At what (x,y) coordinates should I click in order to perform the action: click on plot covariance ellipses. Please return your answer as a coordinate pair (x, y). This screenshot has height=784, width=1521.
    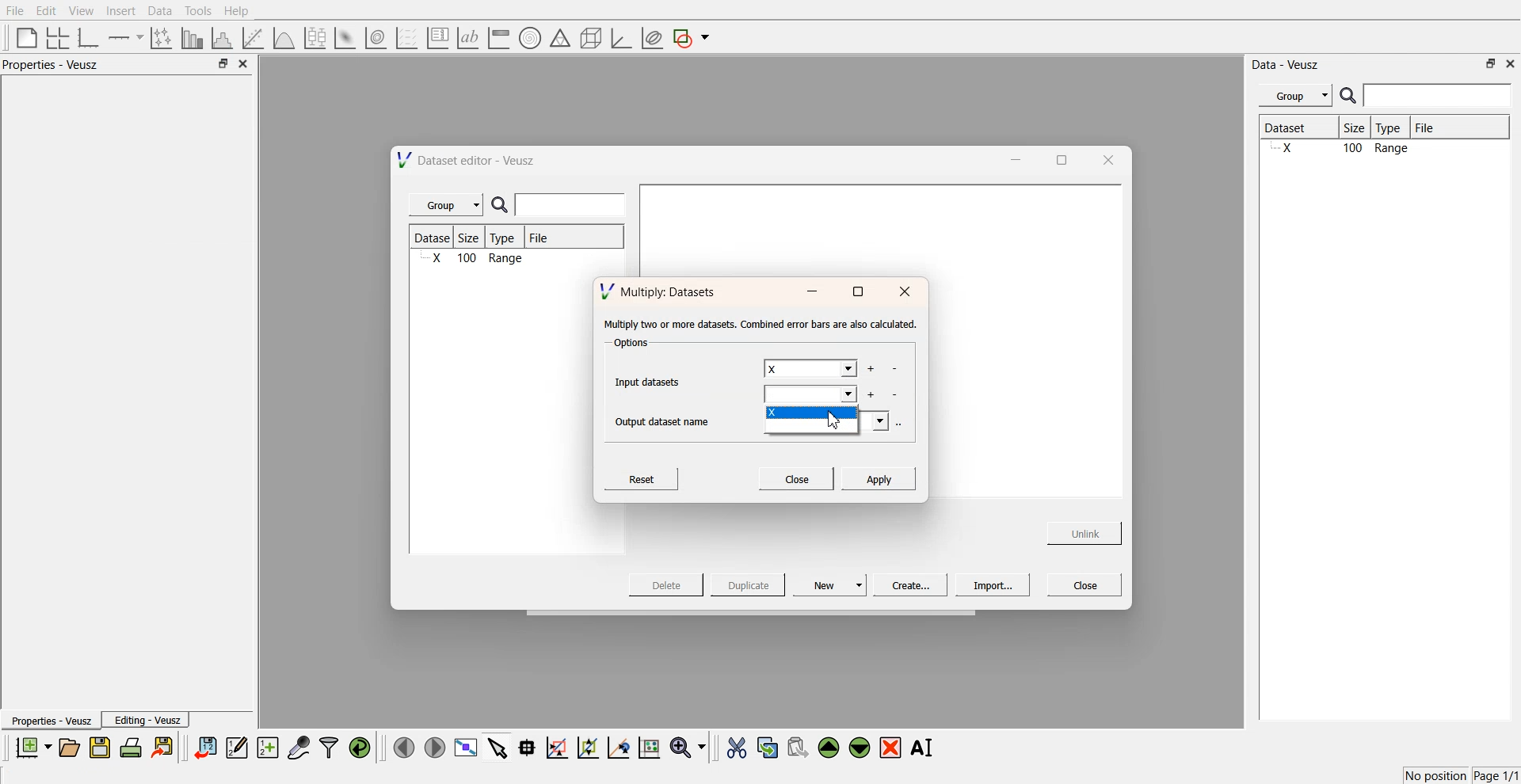
    Looking at the image, I should click on (651, 39).